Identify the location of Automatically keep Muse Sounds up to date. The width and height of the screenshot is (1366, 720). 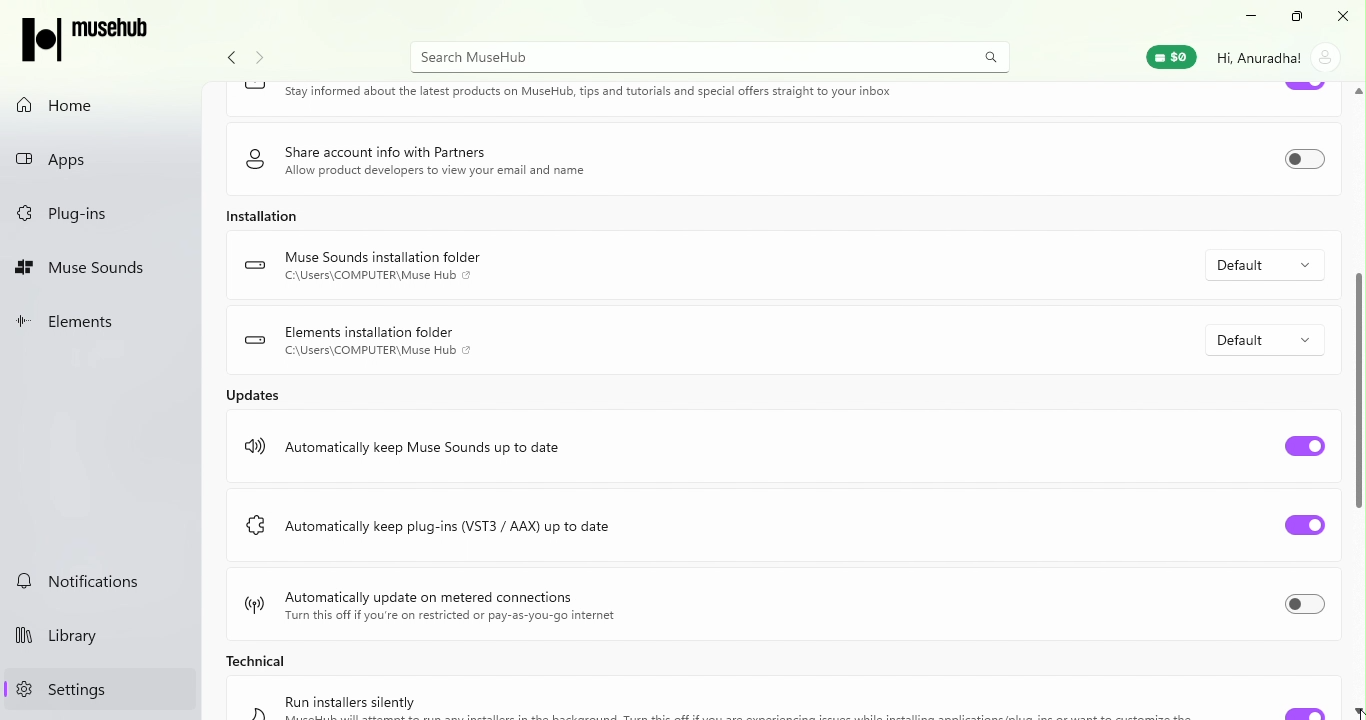
(427, 448).